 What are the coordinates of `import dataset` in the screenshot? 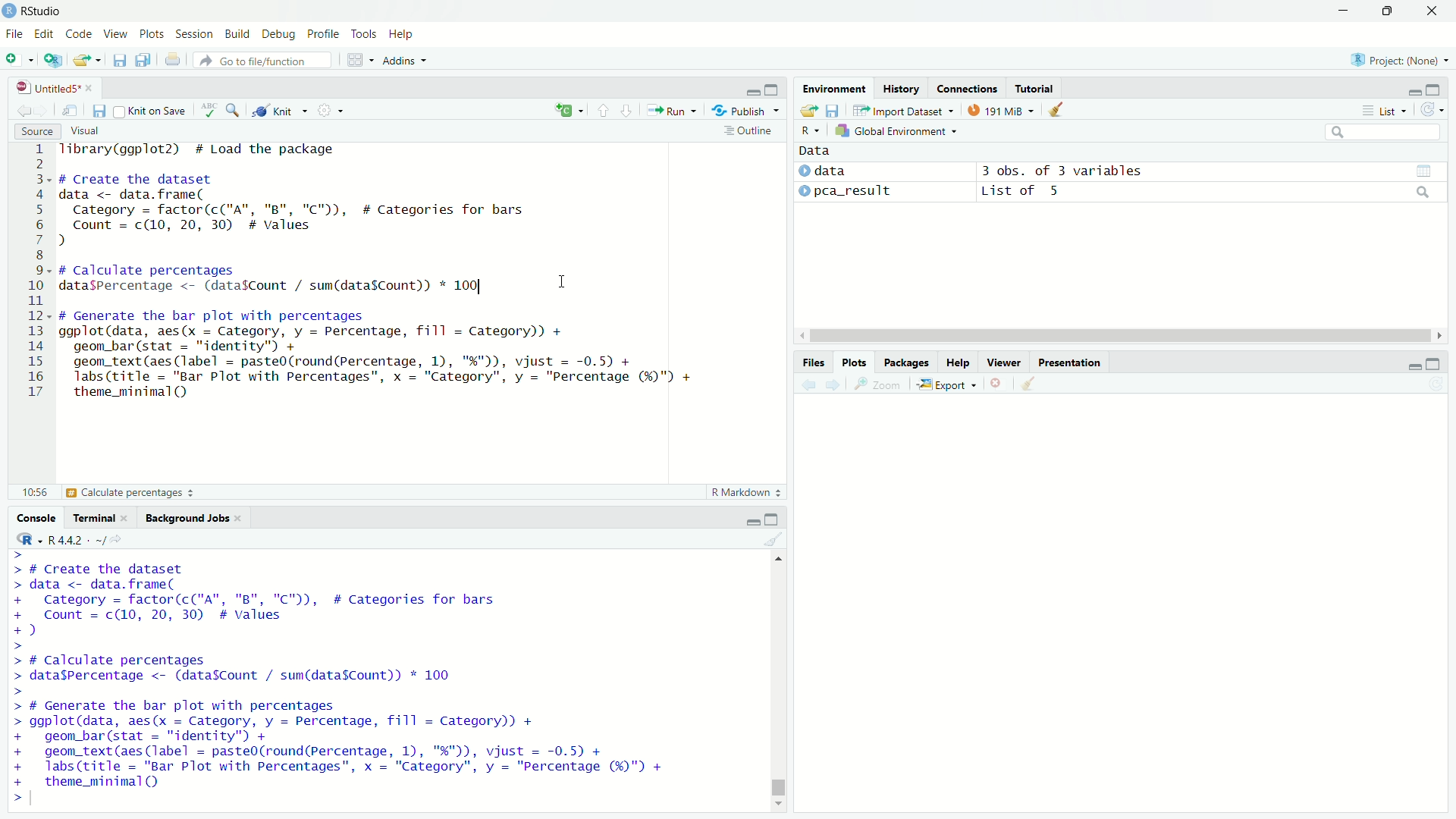 It's located at (906, 111).